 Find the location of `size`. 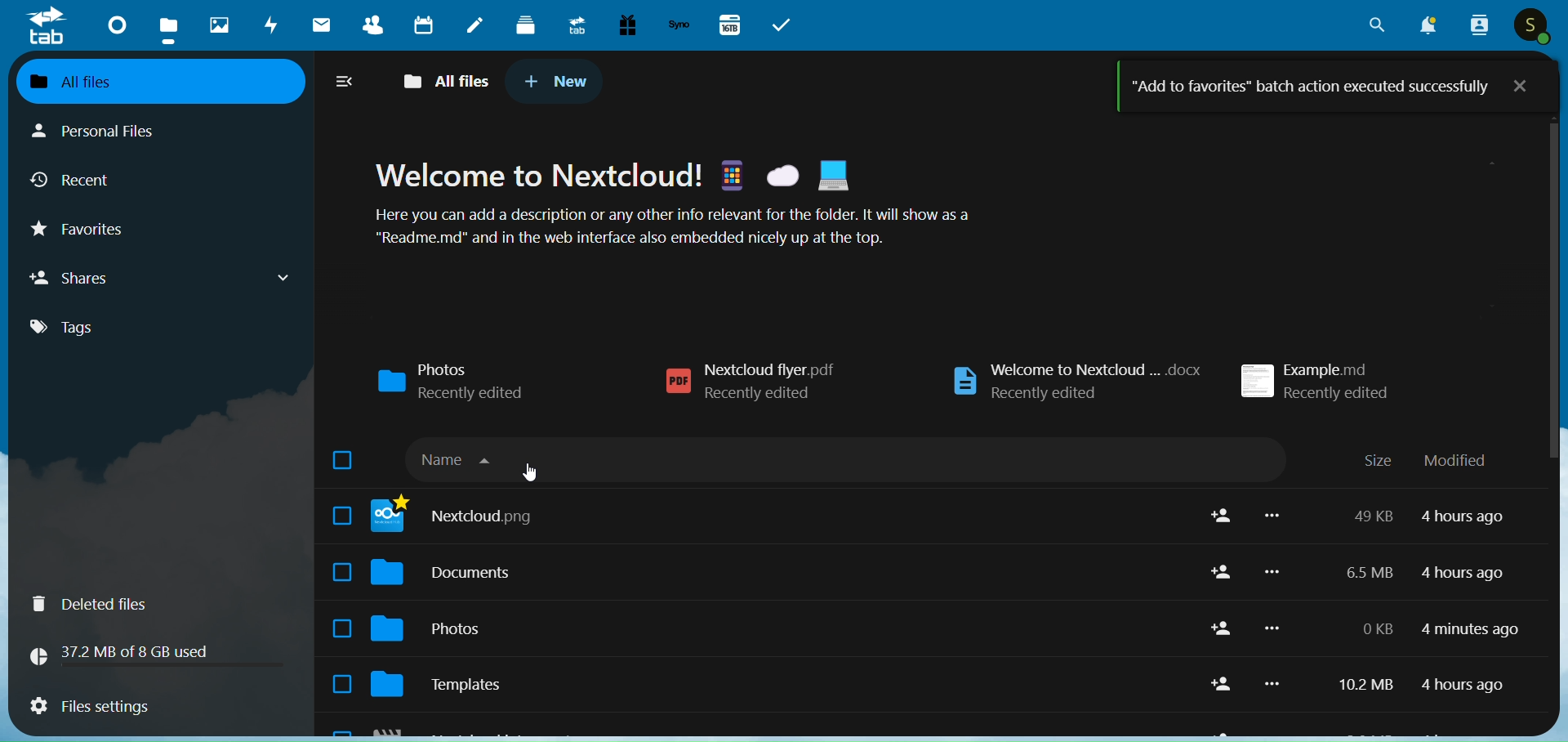

size is located at coordinates (1378, 459).